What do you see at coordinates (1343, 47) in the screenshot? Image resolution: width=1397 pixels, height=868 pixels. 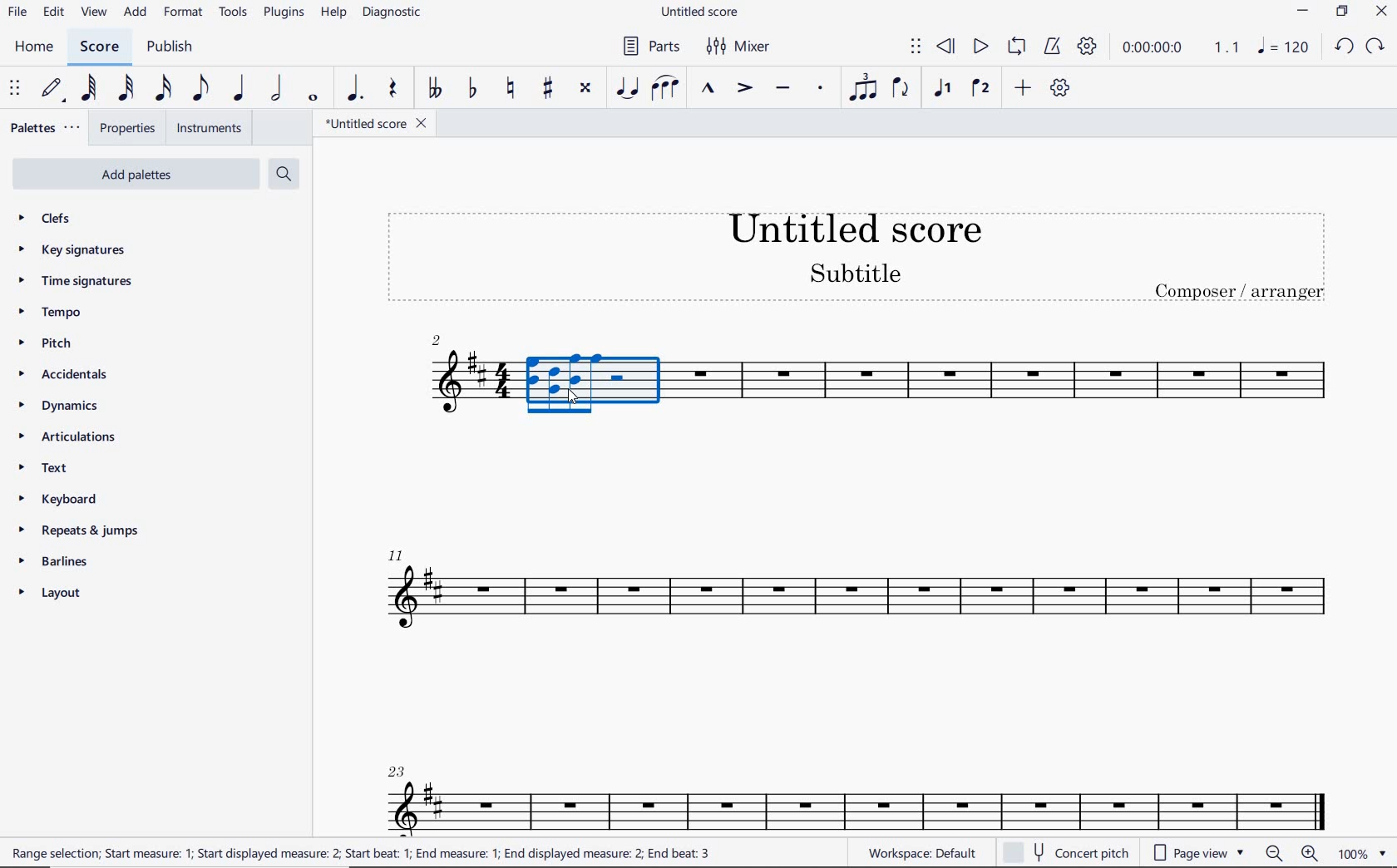 I see `UNDO` at bounding box center [1343, 47].